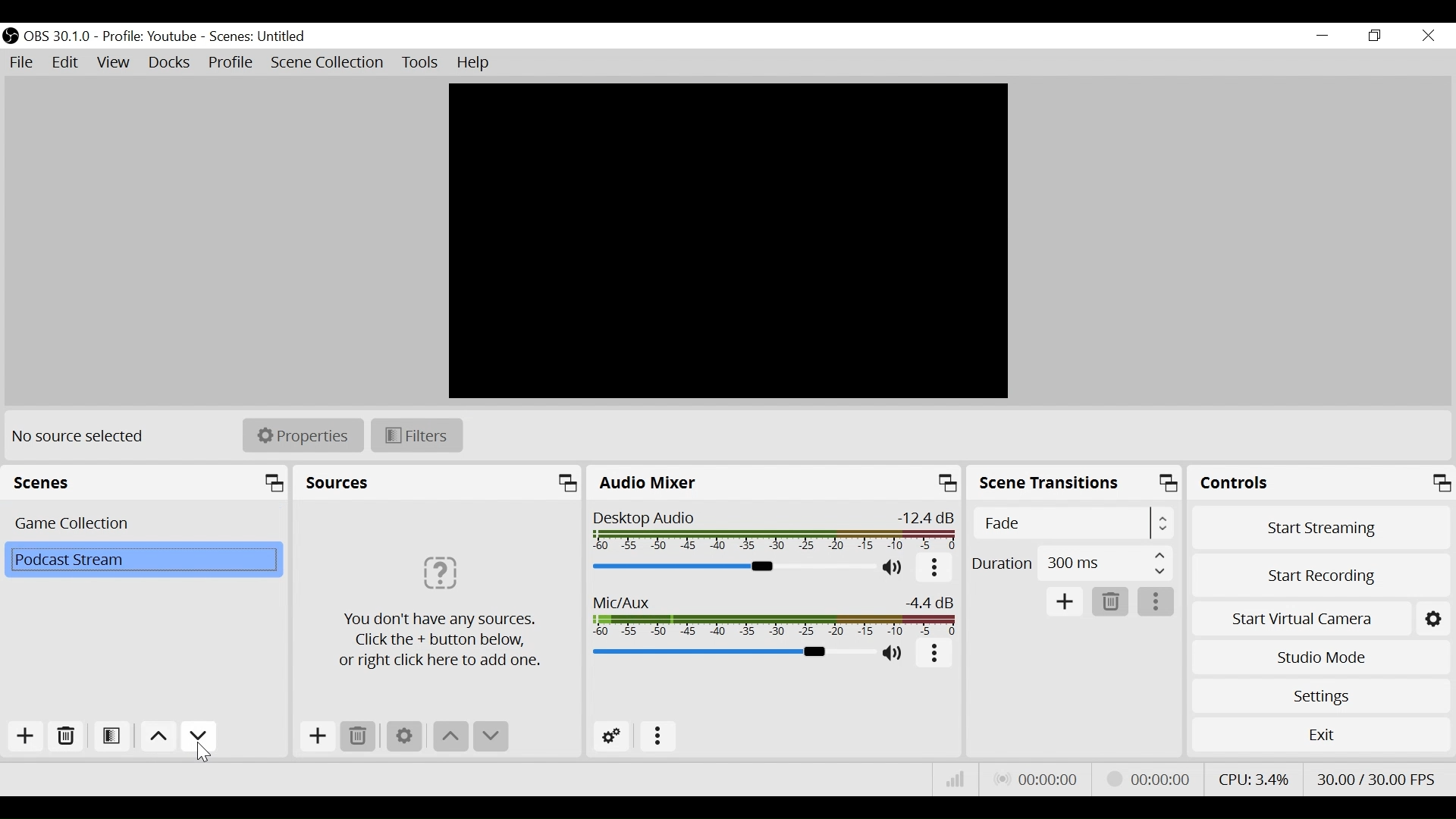 The height and width of the screenshot is (819, 1456). What do you see at coordinates (21, 61) in the screenshot?
I see `File` at bounding box center [21, 61].